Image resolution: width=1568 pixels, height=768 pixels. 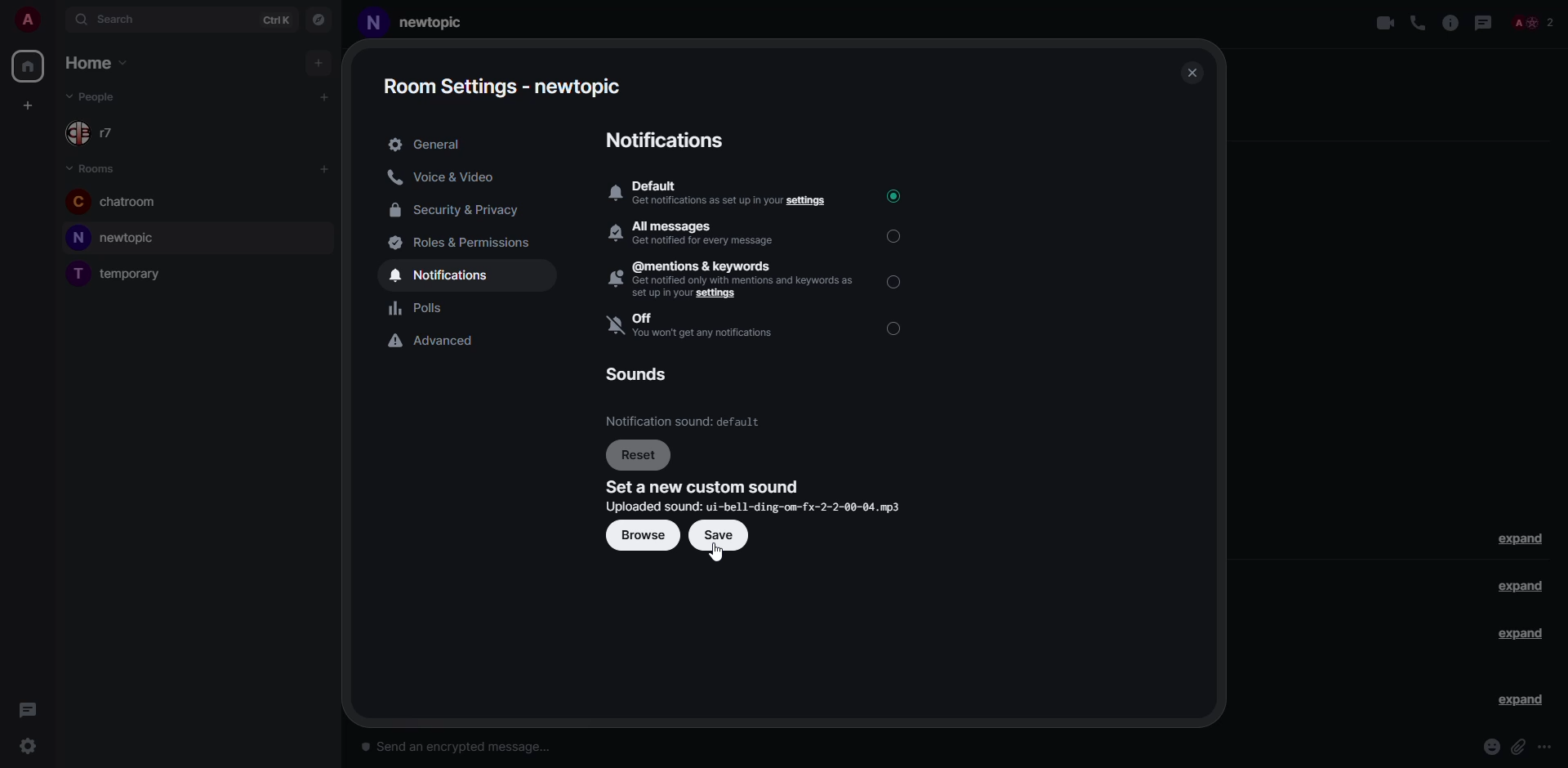 What do you see at coordinates (321, 66) in the screenshot?
I see `add` at bounding box center [321, 66].